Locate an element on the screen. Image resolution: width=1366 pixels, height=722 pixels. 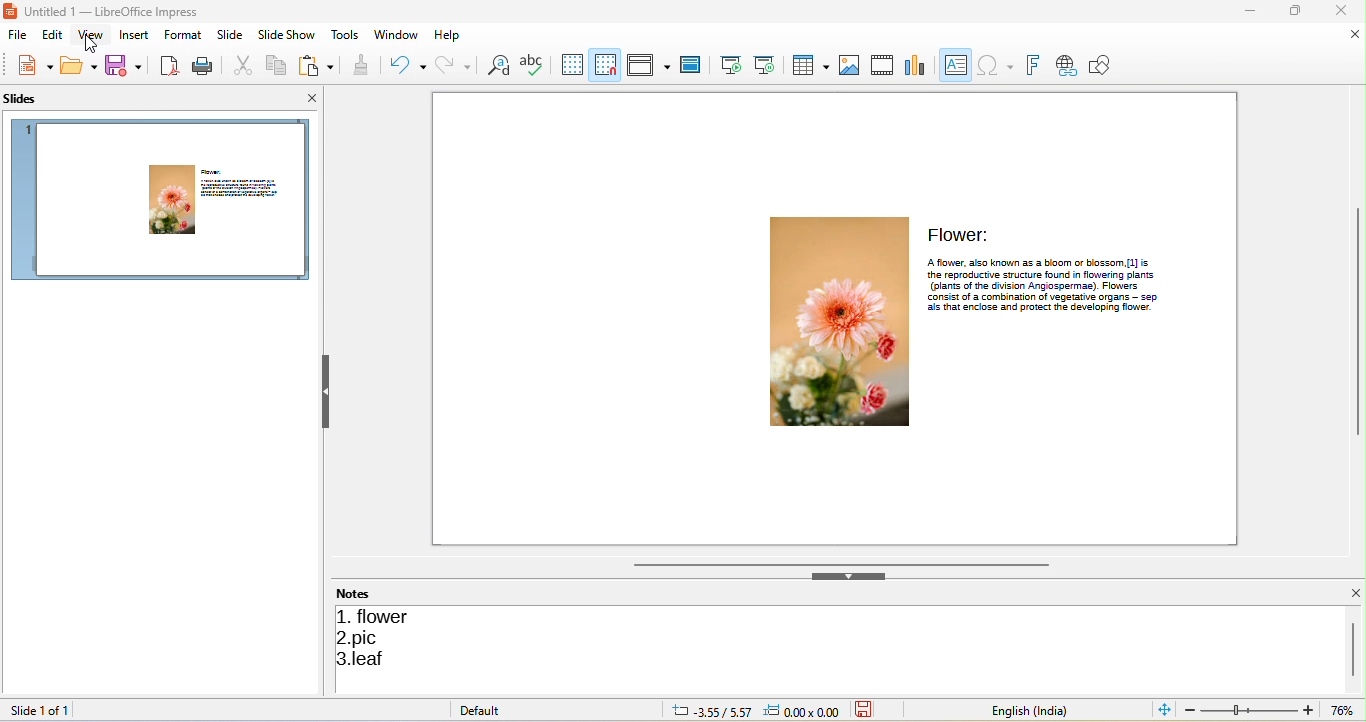
start from current slide is located at coordinates (765, 65).